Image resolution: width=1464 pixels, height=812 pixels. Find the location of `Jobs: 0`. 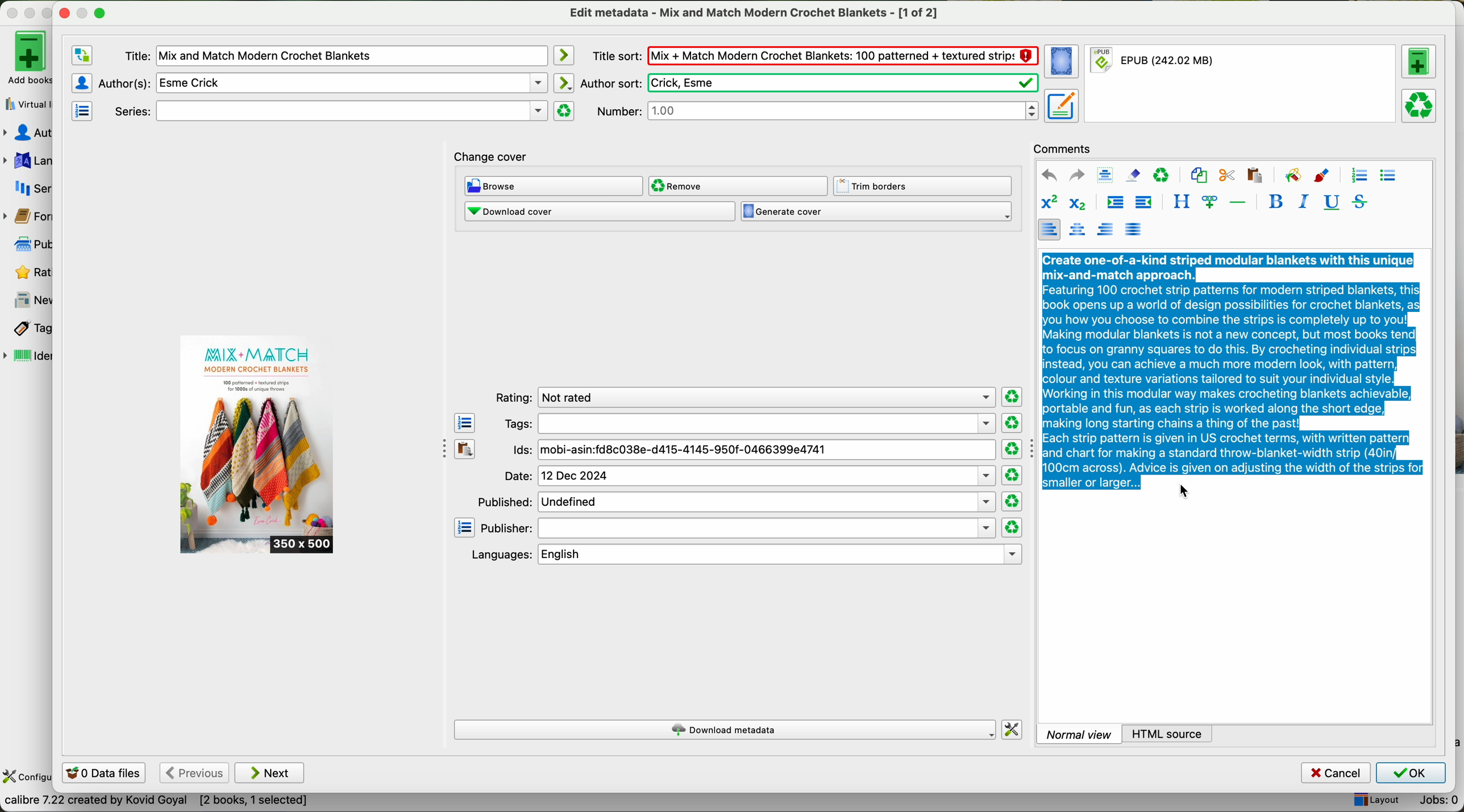

Jobs: 0 is located at coordinates (1434, 802).